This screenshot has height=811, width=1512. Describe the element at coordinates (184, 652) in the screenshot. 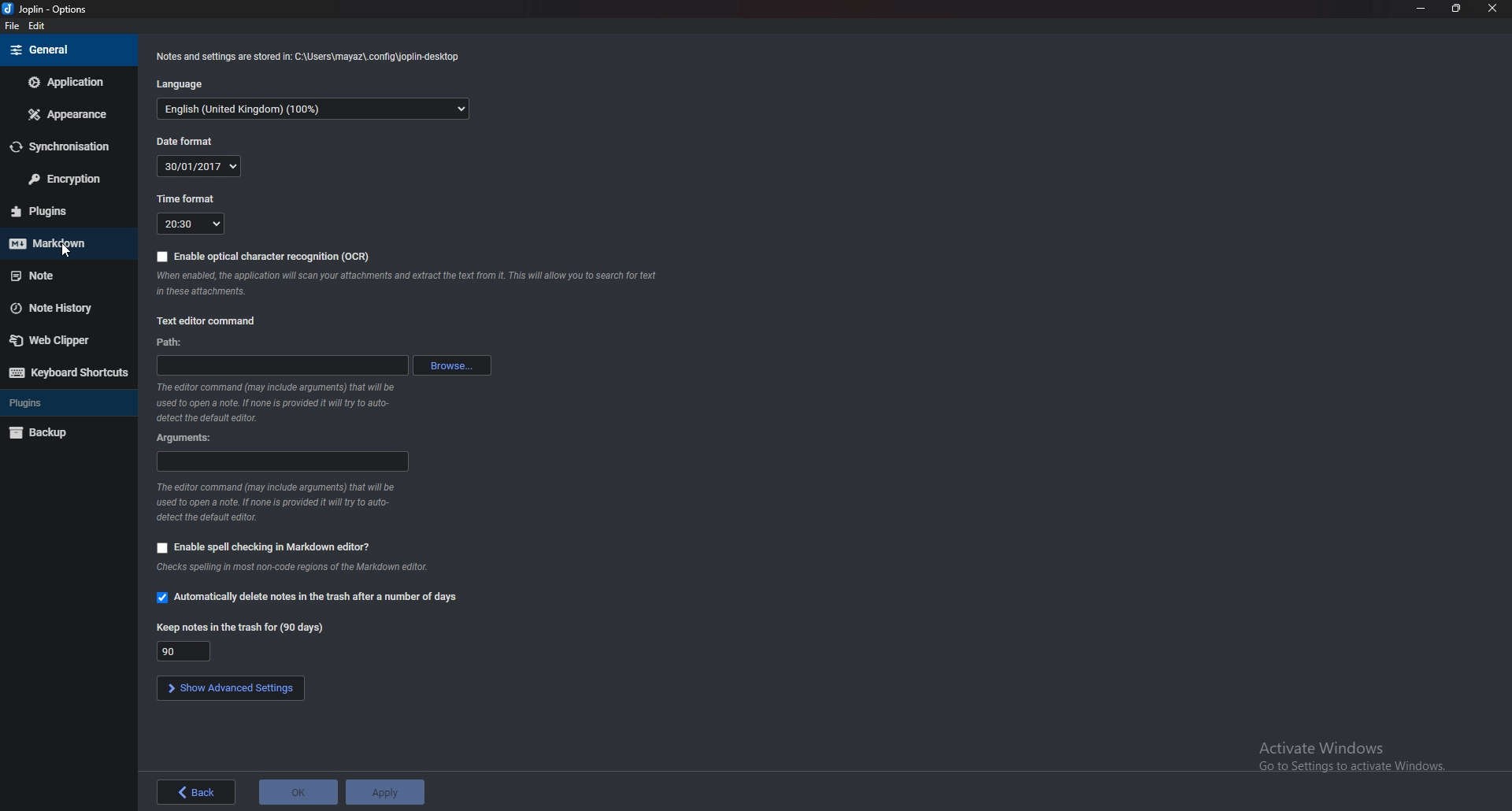

I see `keep notes in trash for` at that location.